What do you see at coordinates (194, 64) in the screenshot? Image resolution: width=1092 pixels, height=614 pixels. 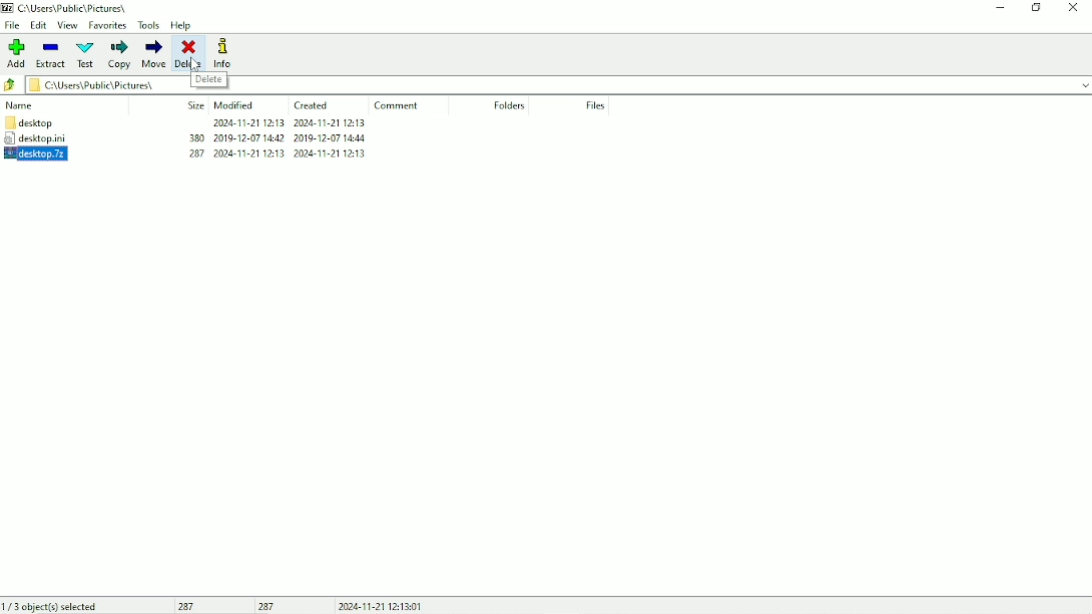 I see `Cursor` at bounding box center [194, 64].